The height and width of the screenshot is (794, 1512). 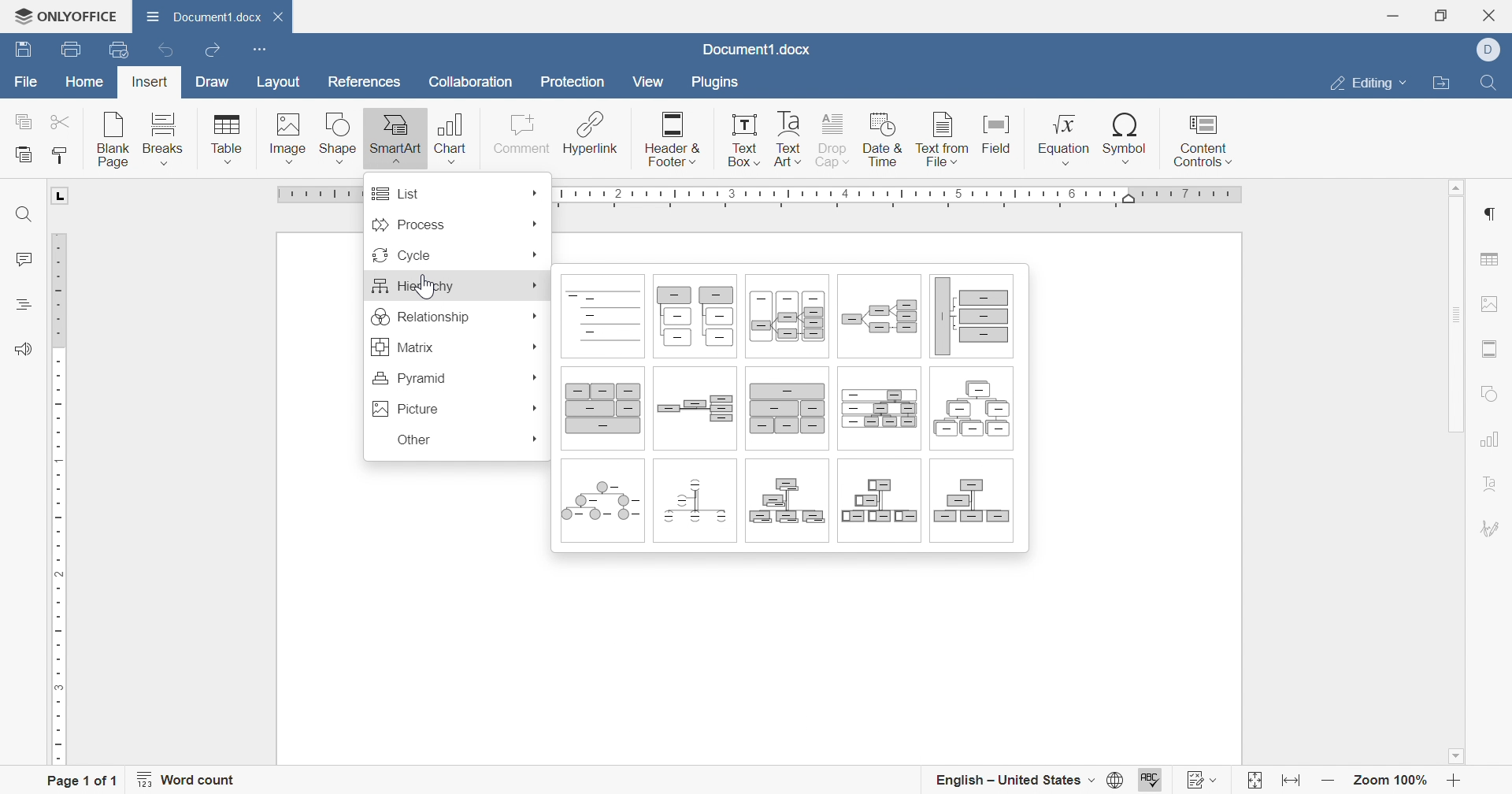 What do you see at coordinates (67, 50) in the screenshot?
I see `Print file` at bounding box center [67, 50].